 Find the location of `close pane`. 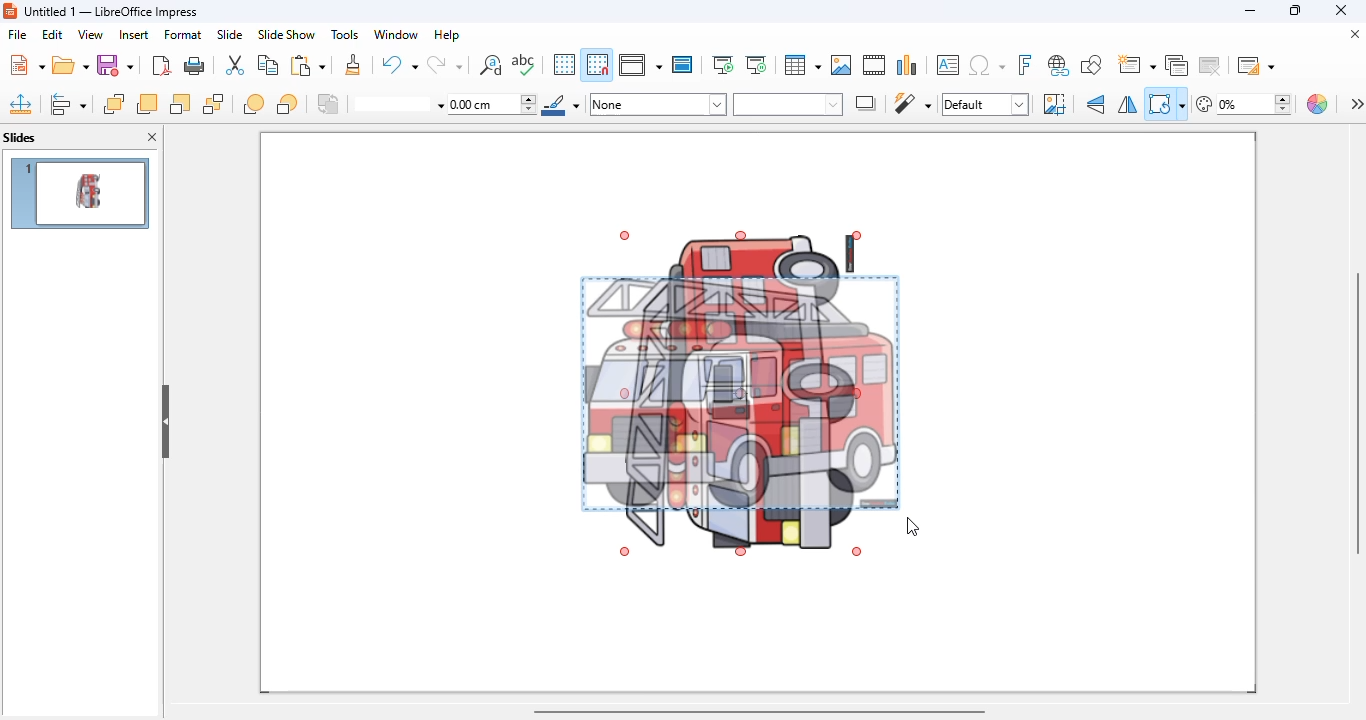

close pane is located at coordinates (152, 137).